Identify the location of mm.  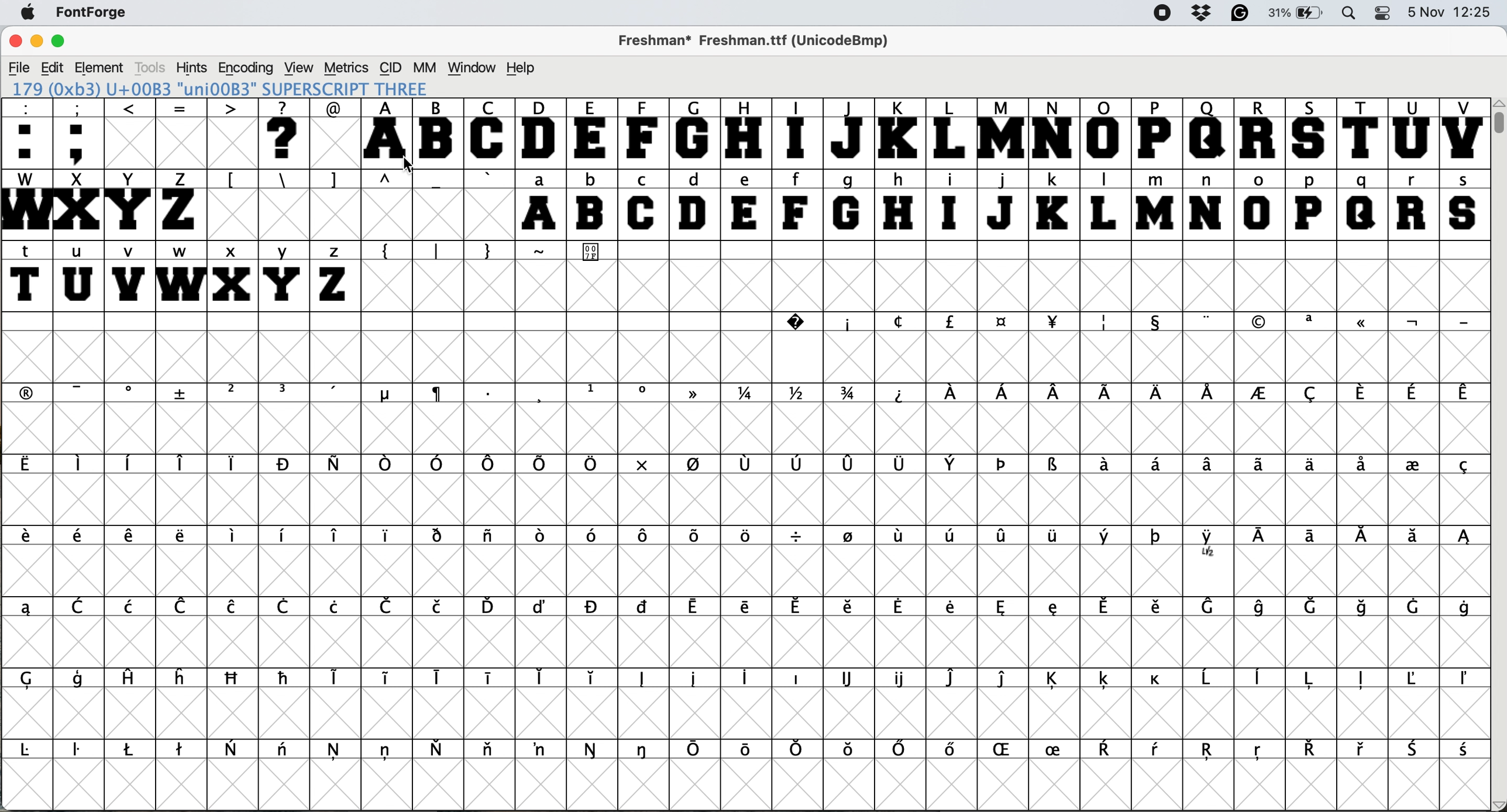
(423, 67).